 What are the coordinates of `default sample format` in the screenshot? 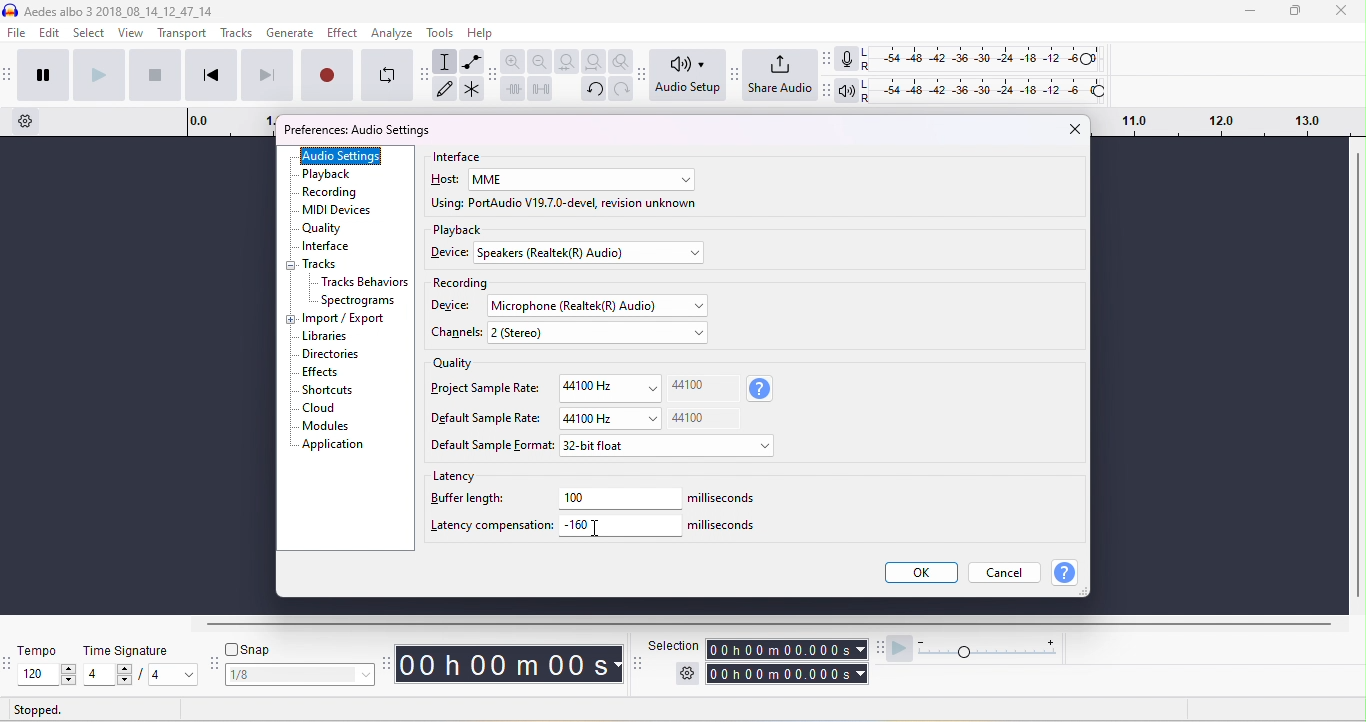 It's located at (492, 446).